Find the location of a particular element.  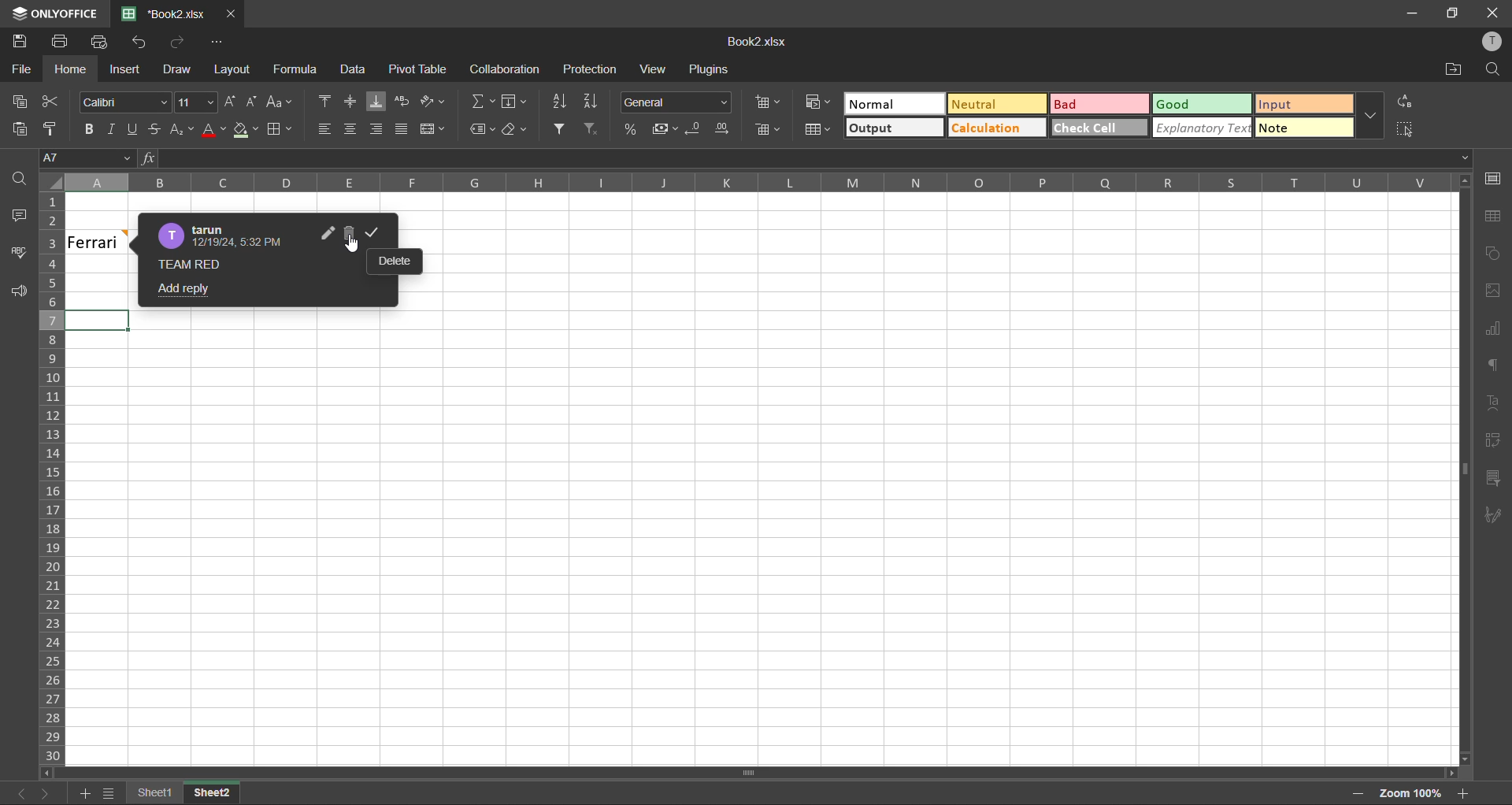

summation is located at coordinates (484, 102).